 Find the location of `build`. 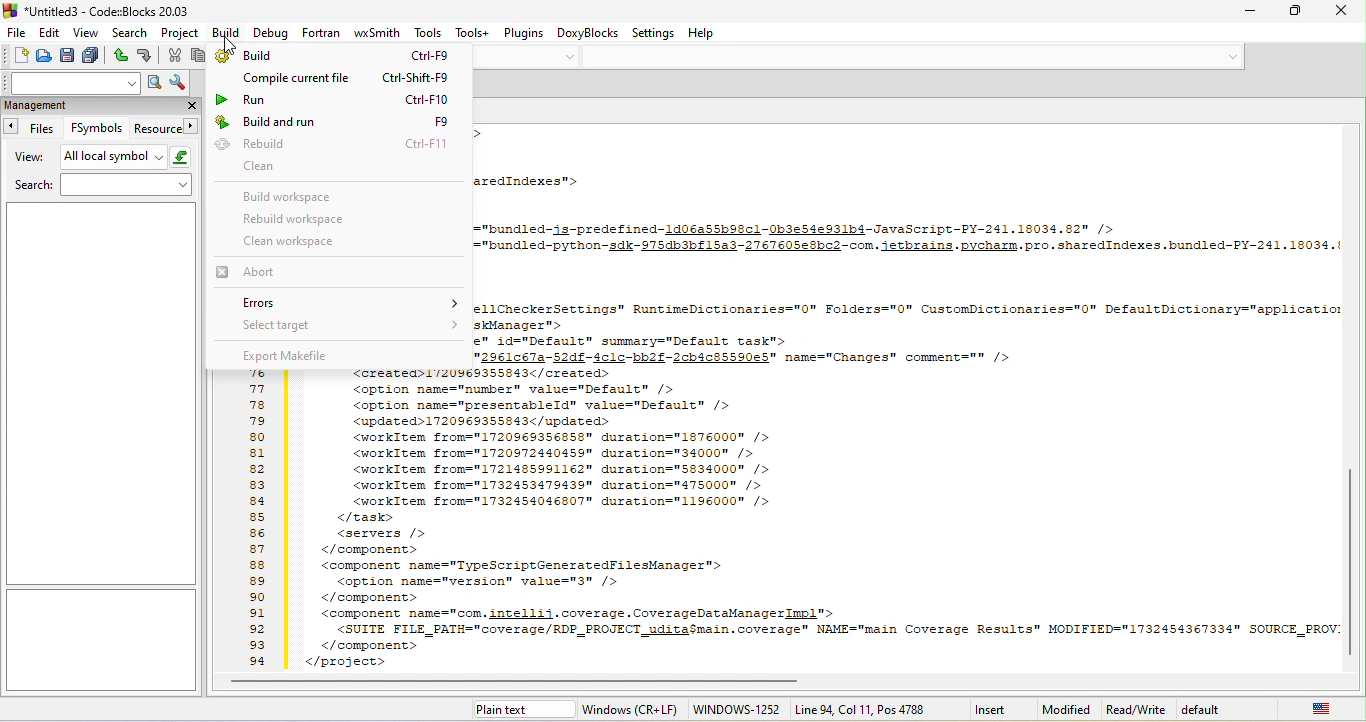

build is located at coordinates (336, 56).